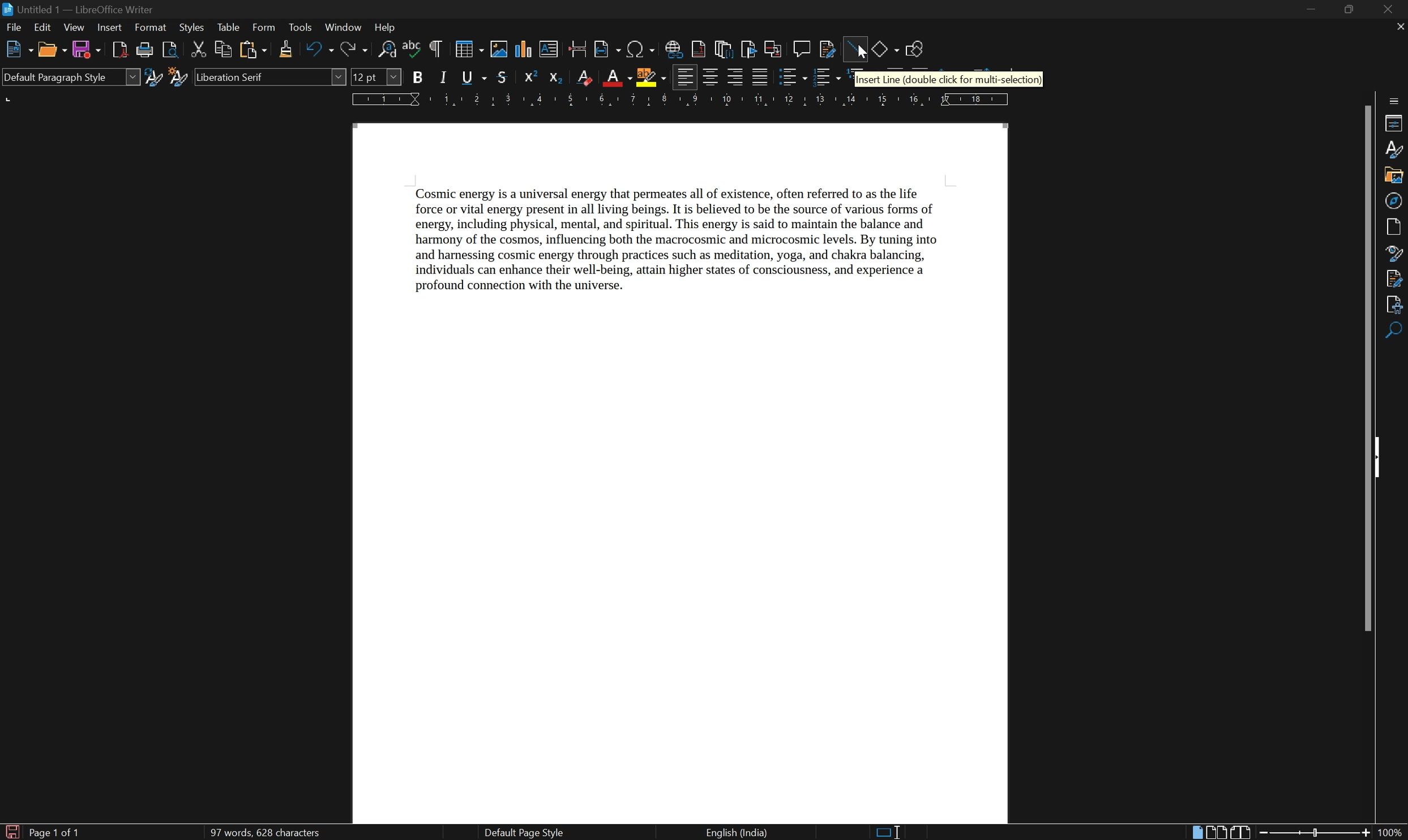  What do you see at coordinates (179, 76) in the screenshot?
I see `new style from selection` at bounding box center [179, 76].